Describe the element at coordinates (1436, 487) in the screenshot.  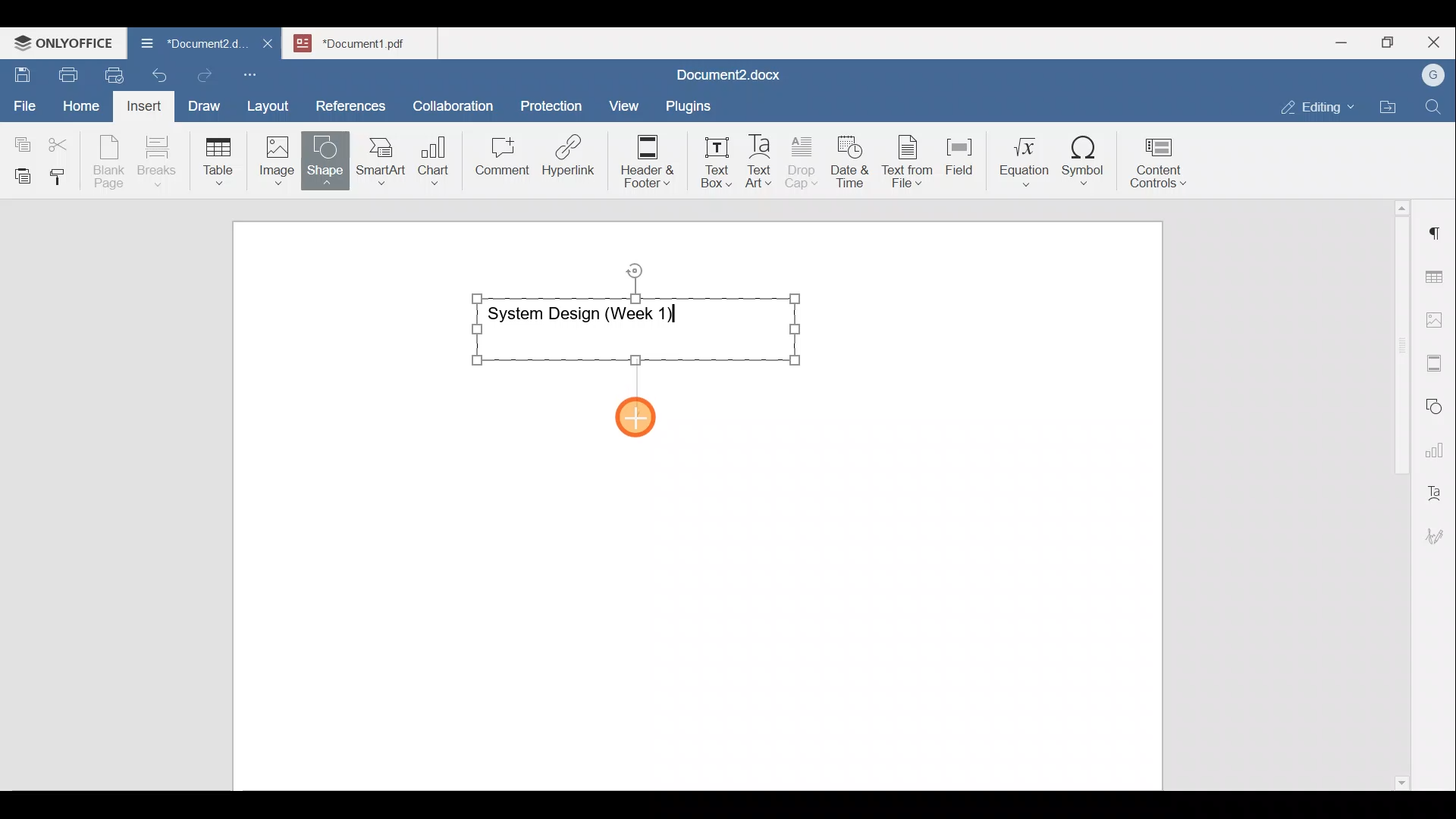
I see `Text Art settings` at that location.